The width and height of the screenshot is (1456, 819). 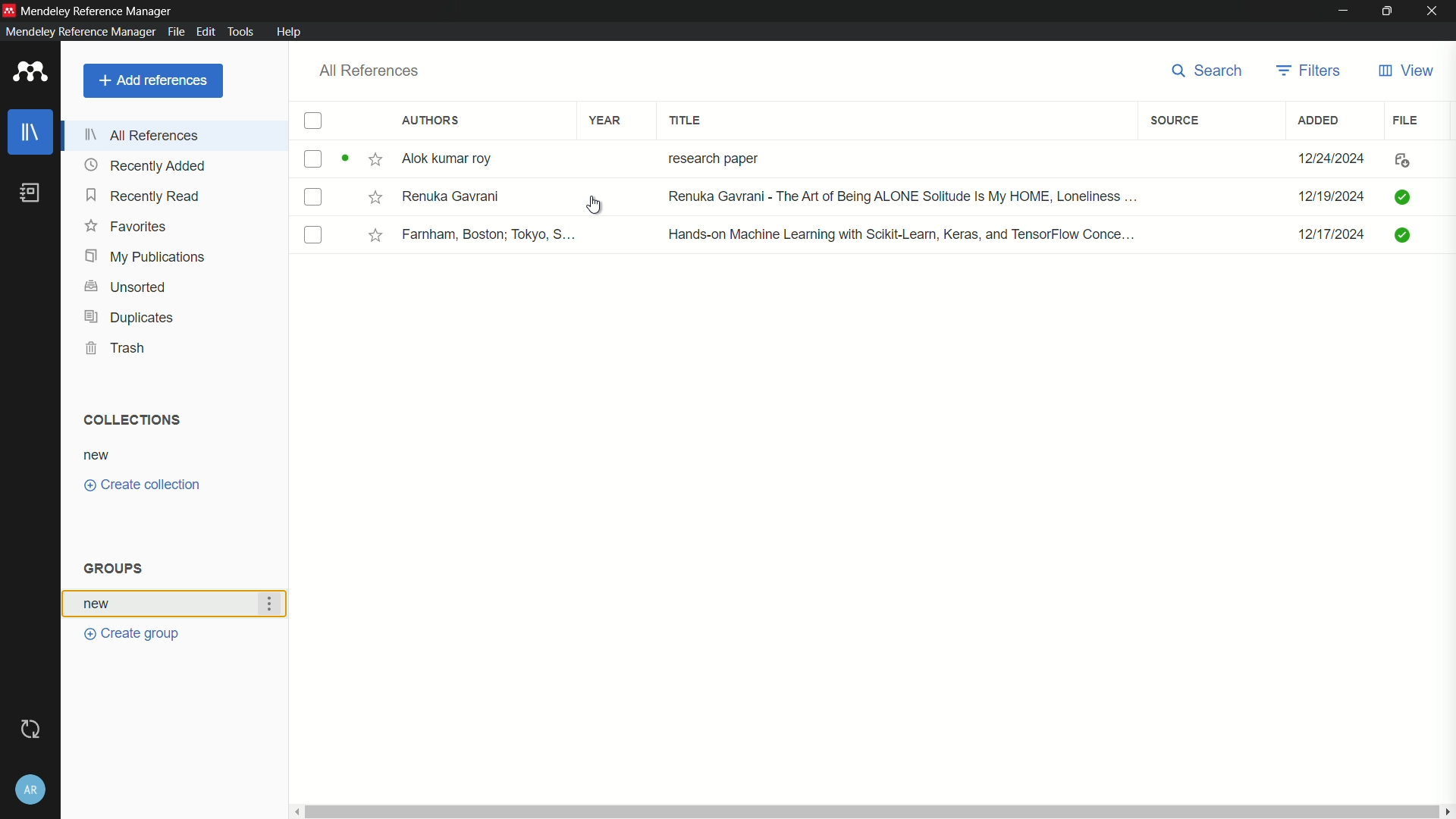 I want to click on more options, so click(x=274, y=604).